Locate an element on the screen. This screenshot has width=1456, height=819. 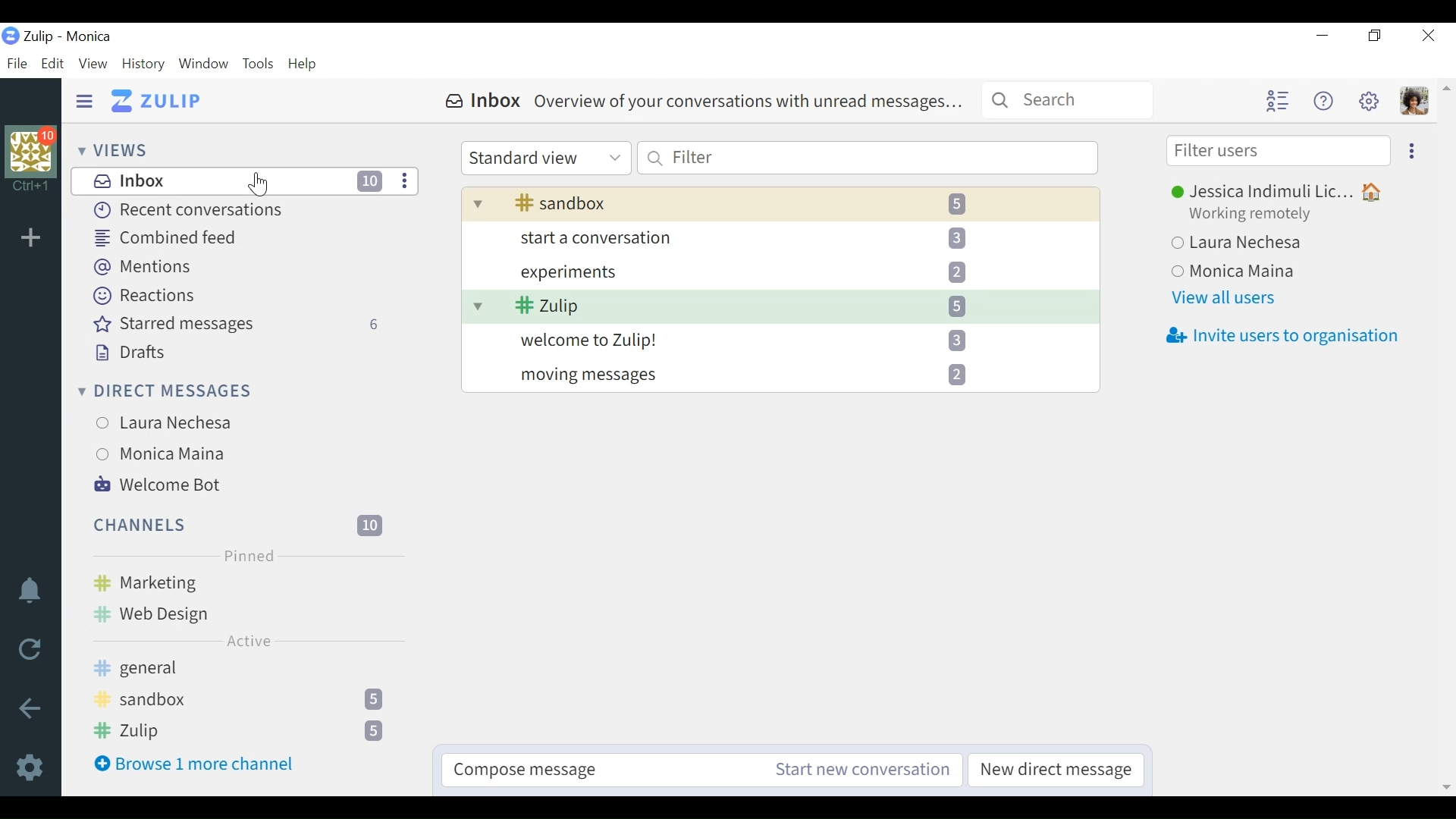
Reactions is located at coordinates (152, 296).